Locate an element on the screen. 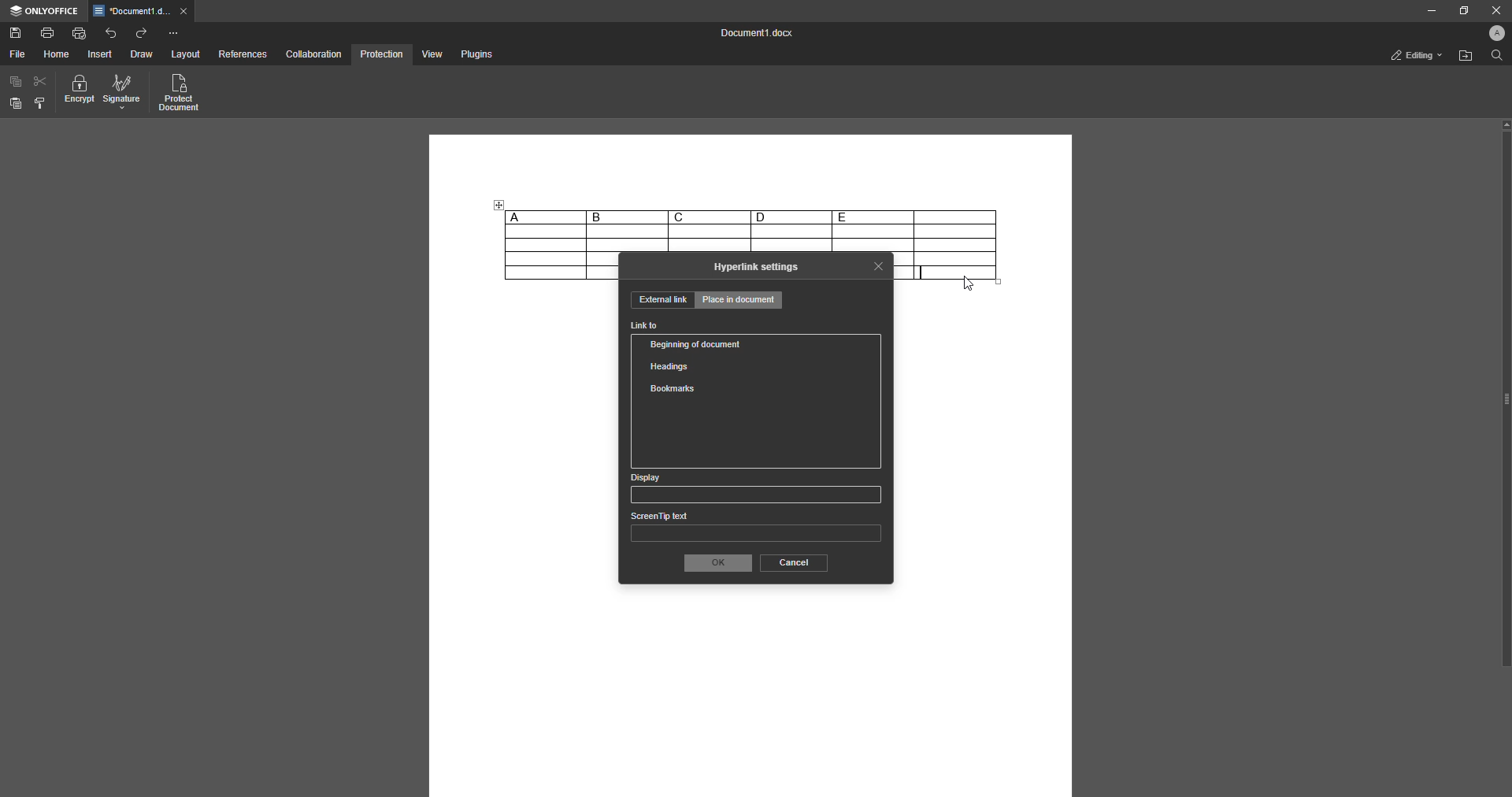 The image size is (1512, 797). B is located at coordinates (627, 217).